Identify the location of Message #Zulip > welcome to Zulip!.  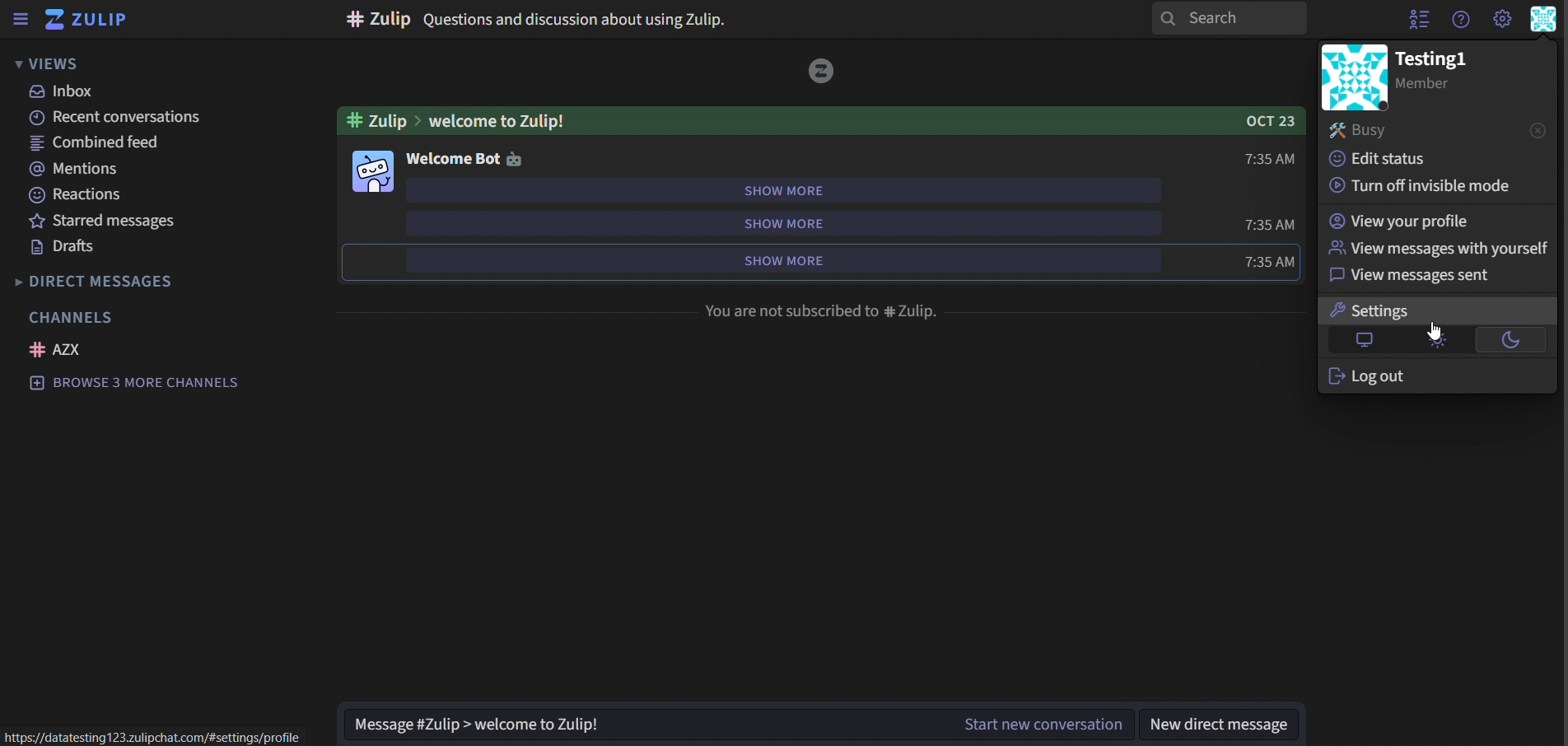
(636, 725).